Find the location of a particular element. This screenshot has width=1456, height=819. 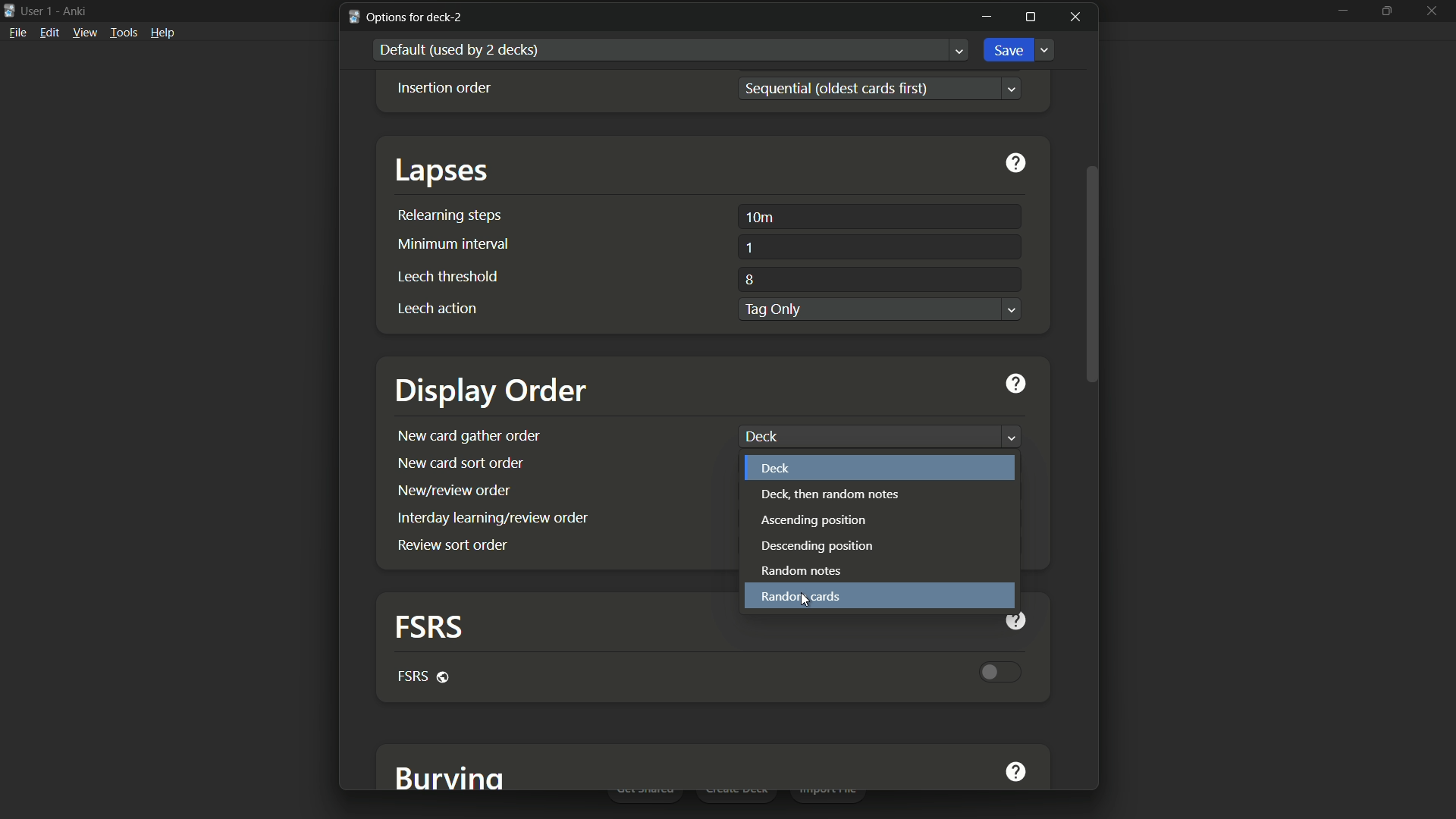

get help is located at coordinates (1021, 620).